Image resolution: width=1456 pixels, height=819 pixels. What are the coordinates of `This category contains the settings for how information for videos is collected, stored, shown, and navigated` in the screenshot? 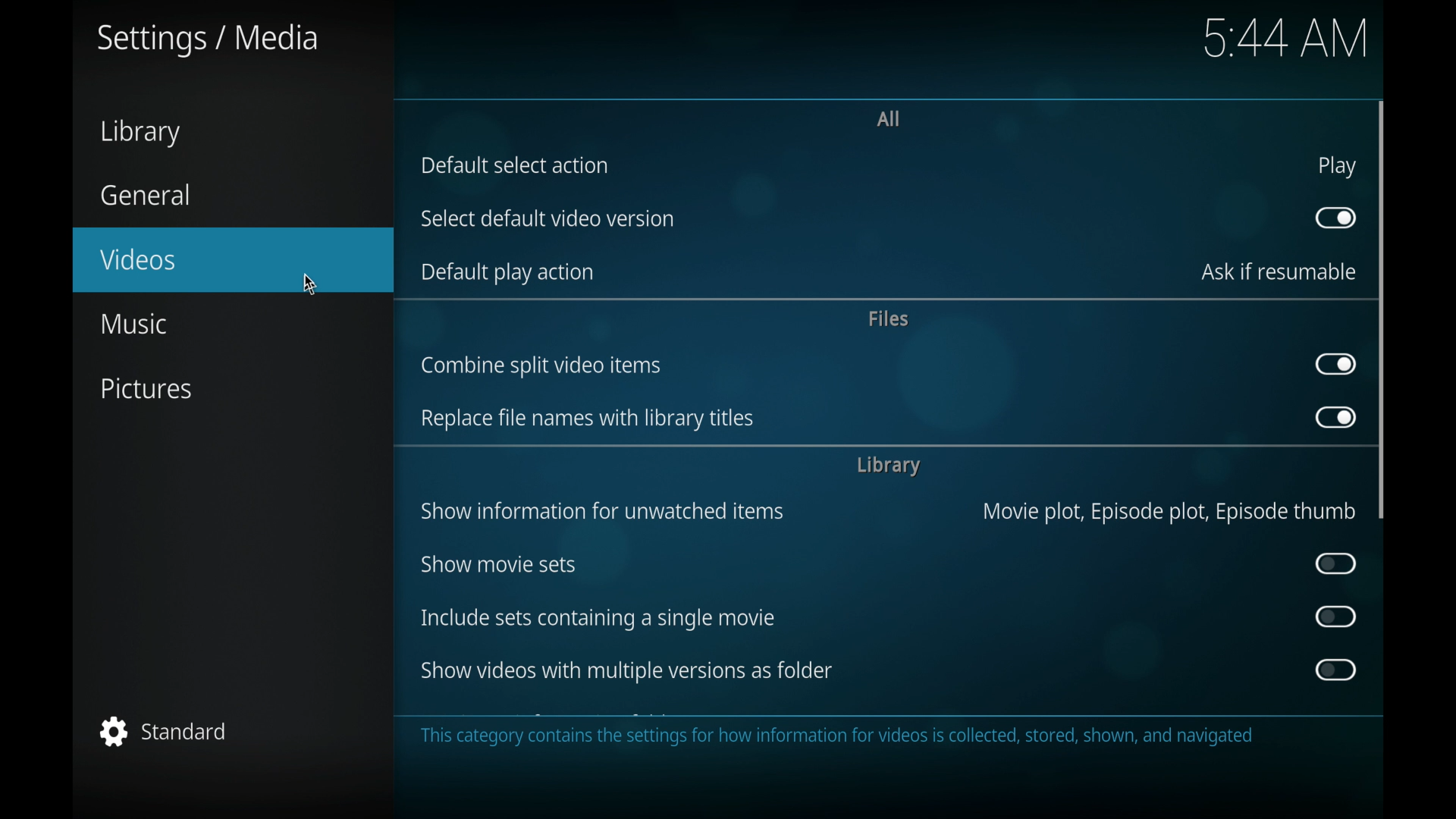 It's located at (834, 737).